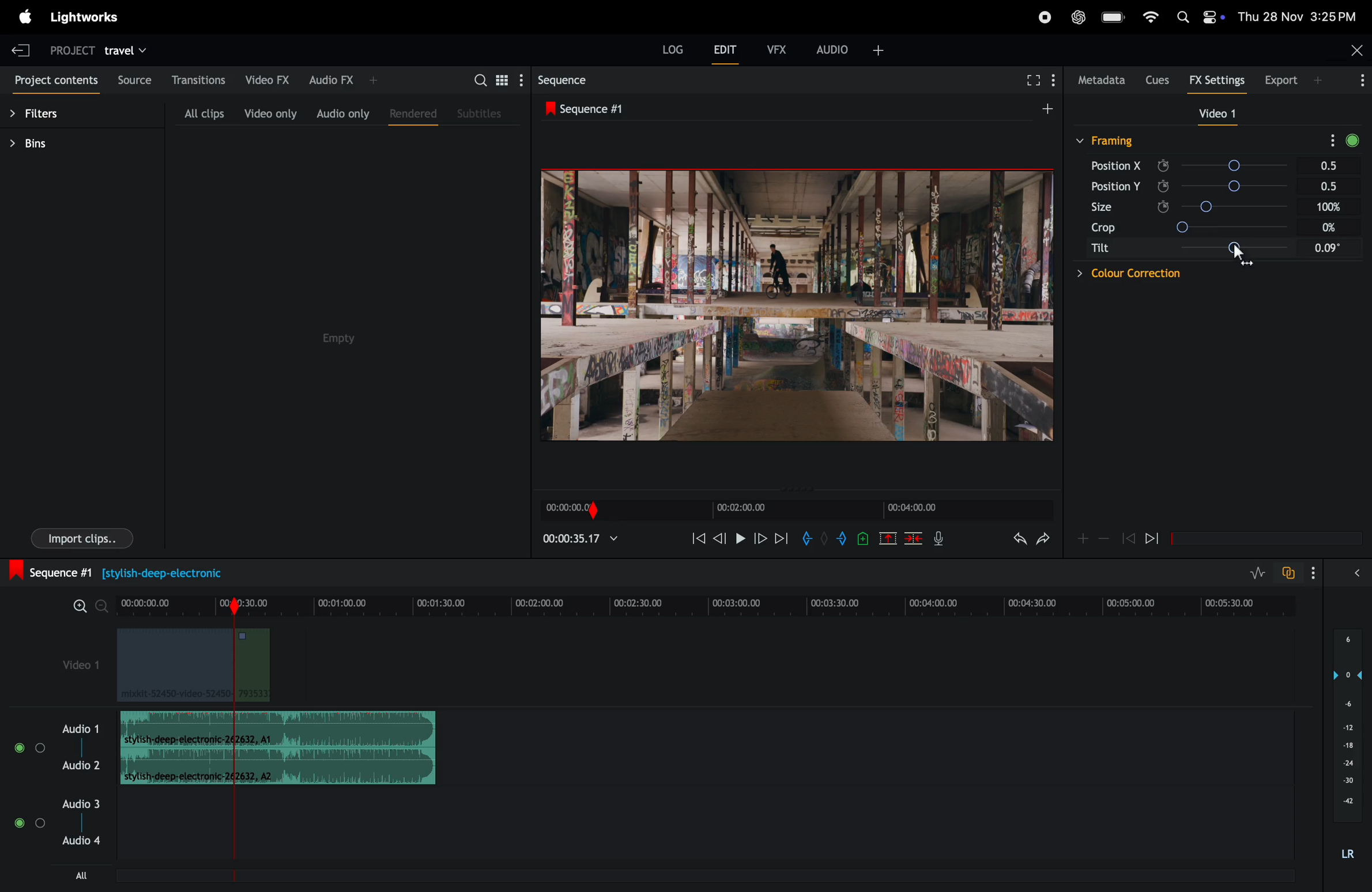 The height and width of the screenshot is (892, 1372). Describe the element at coordinates (1046, 539) in the screenshot. I see `redo` at that location.